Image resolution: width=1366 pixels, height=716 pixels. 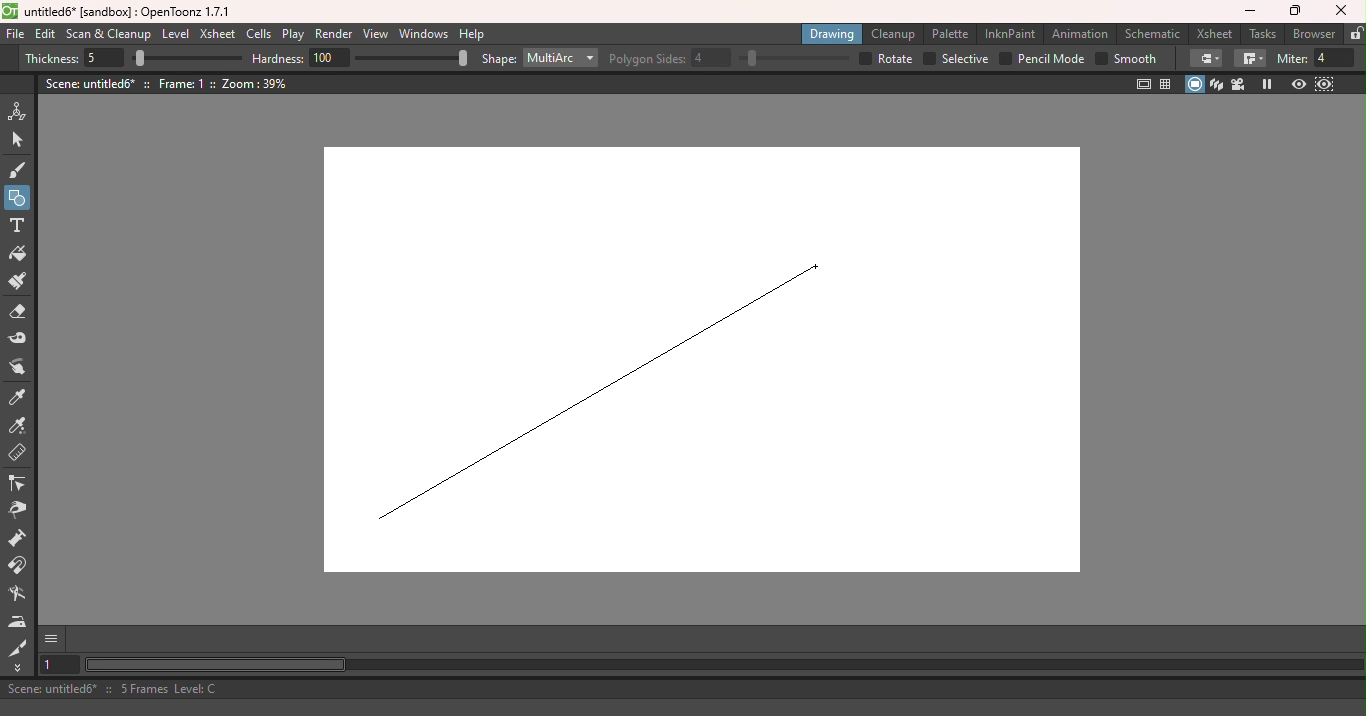 I want to click on Close, so click(x=1344, y=11).